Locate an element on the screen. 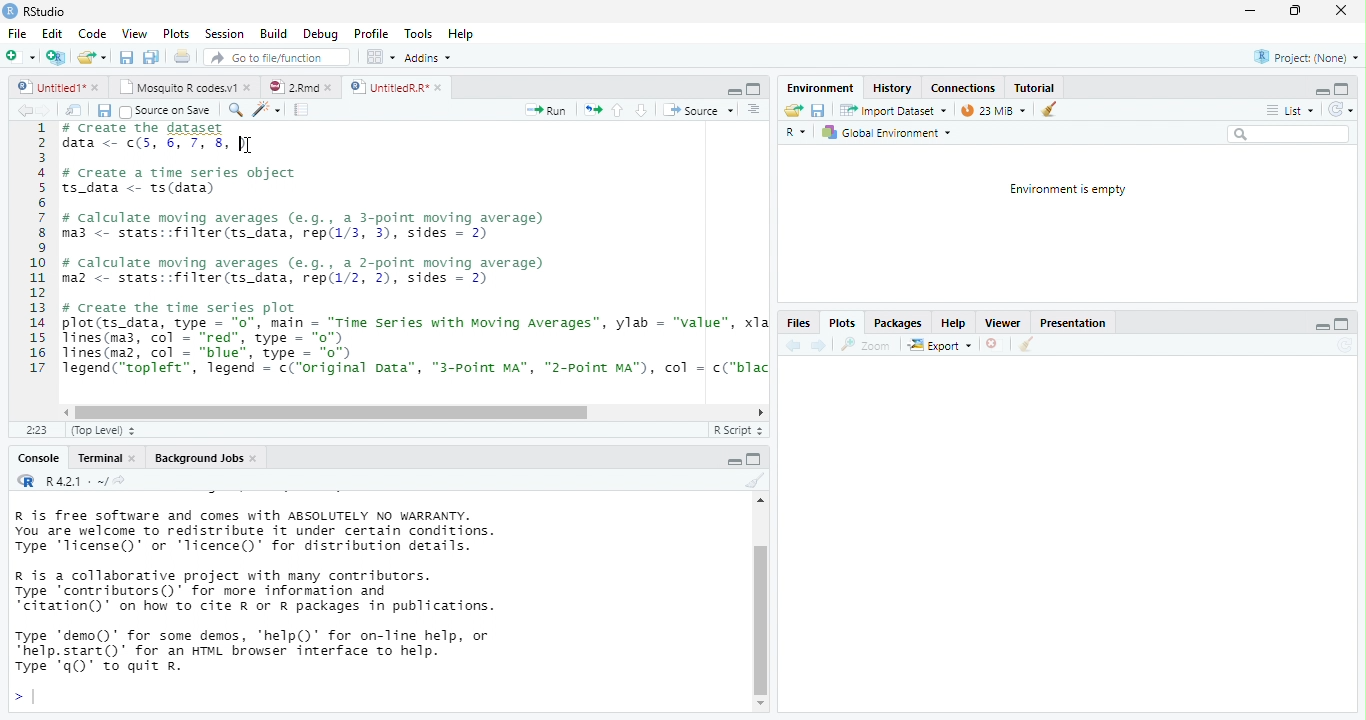 Image resolution: width=1366 pixels, height=720 pixels. Edit is located at coordinates (52, 33).